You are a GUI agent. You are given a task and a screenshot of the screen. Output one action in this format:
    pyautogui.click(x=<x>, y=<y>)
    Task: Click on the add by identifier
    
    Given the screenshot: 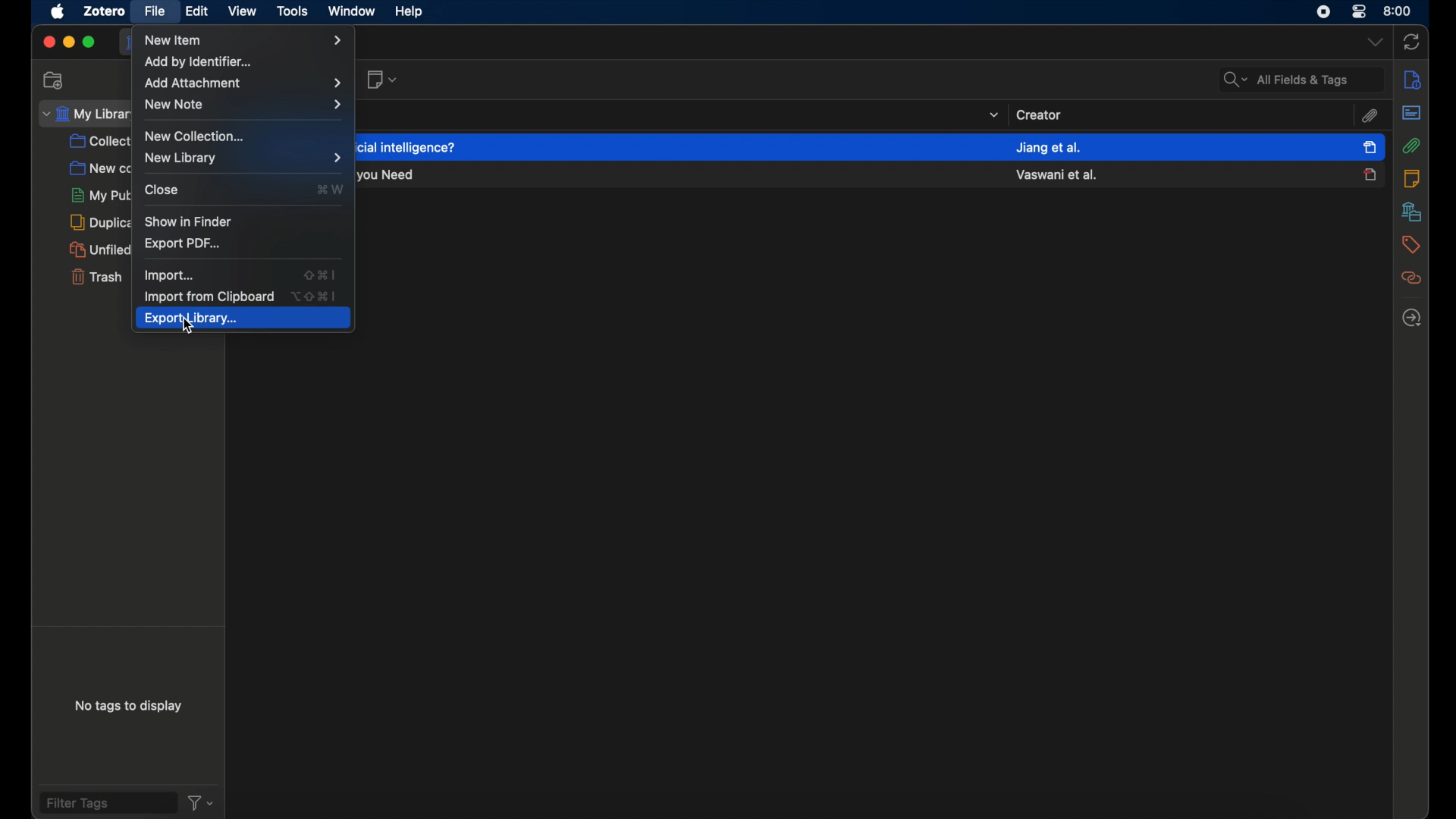 What is the action you would take?
    pyautogui.click(x=199, y=61)
    